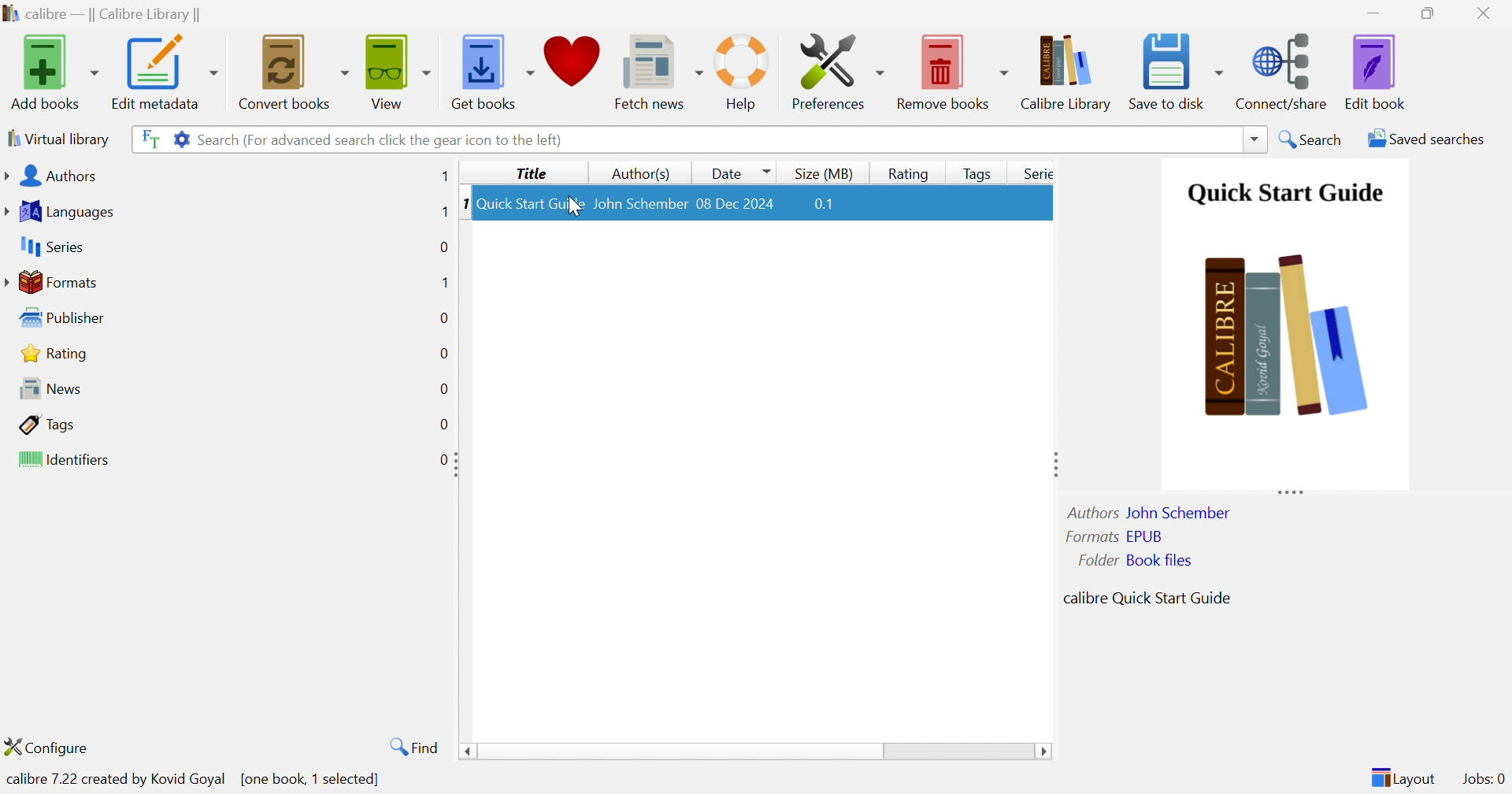  What do you see at coordinates (529, 174) in the screenshot?
I see `Title` at bounding box center [529, 174].